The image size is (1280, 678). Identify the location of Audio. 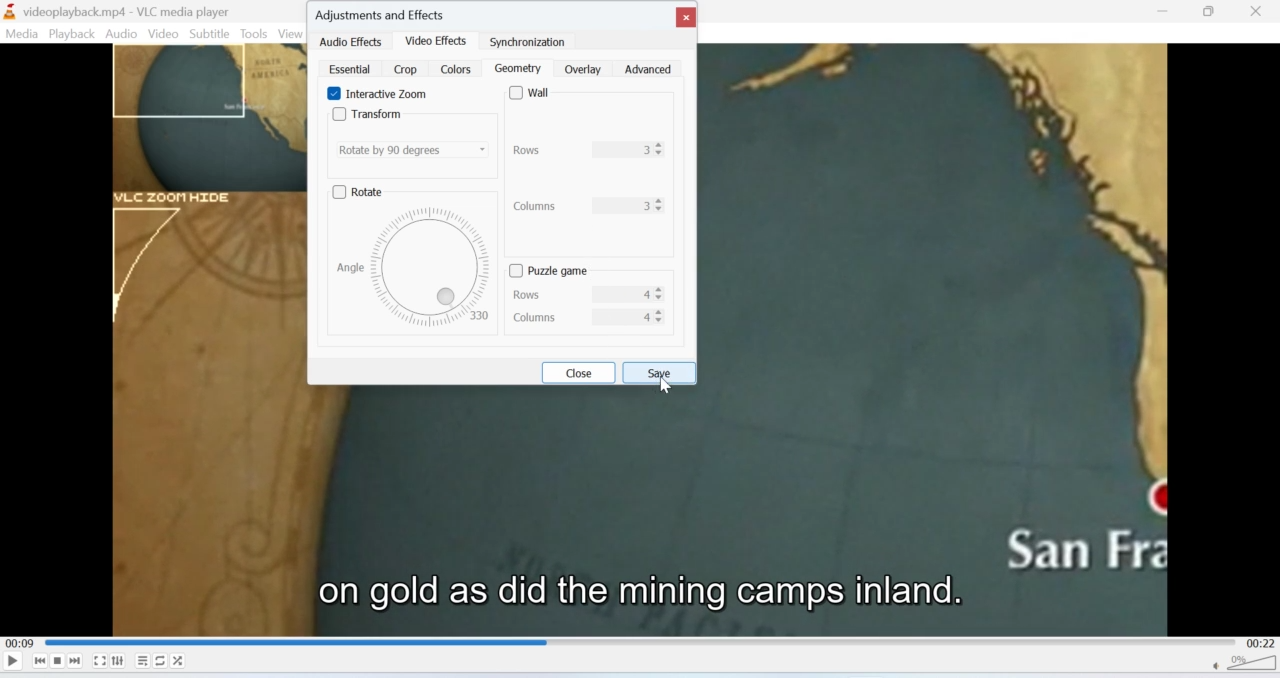
(122, 34).